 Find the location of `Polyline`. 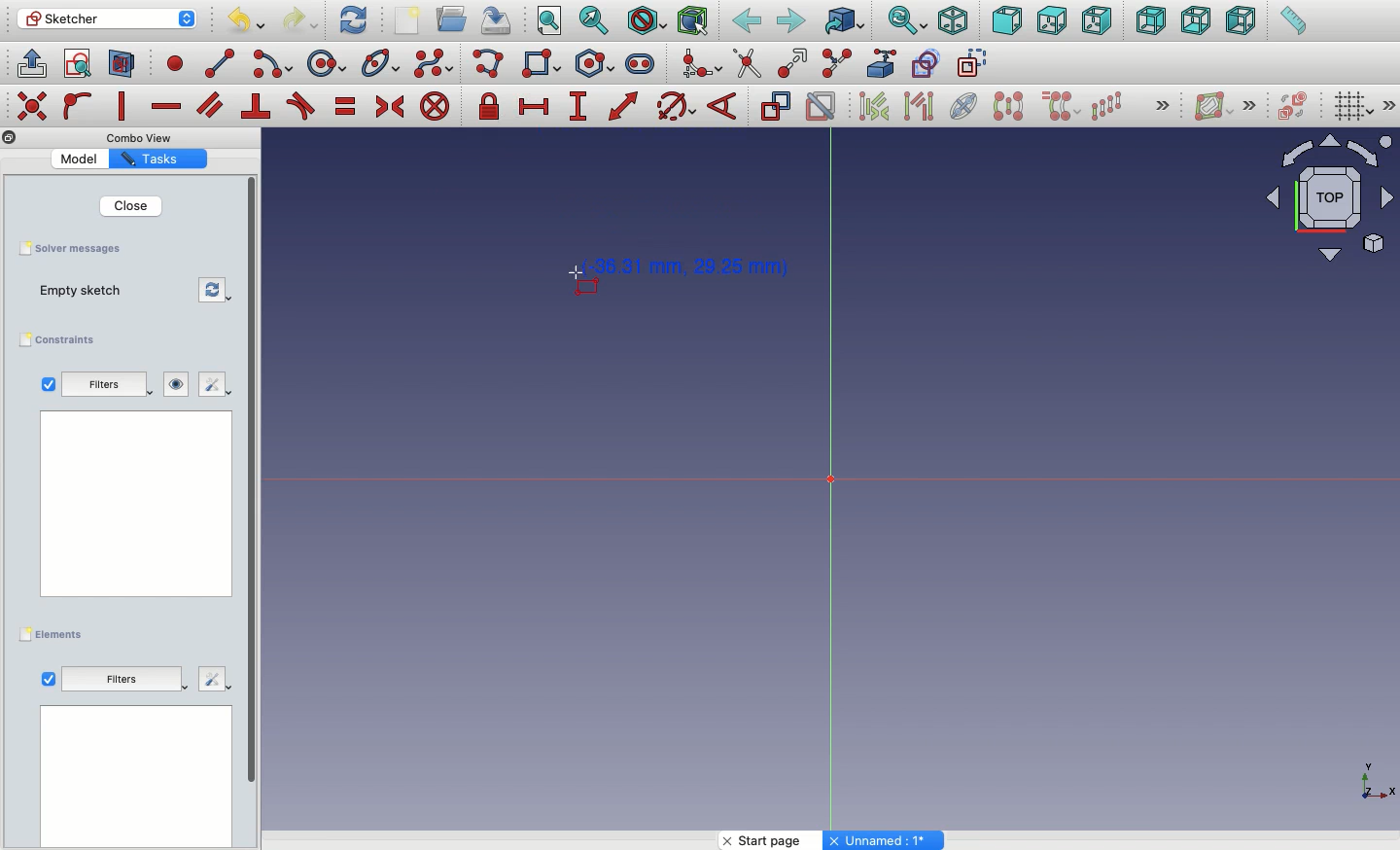

Polyline is located at coordinates (492, 65).